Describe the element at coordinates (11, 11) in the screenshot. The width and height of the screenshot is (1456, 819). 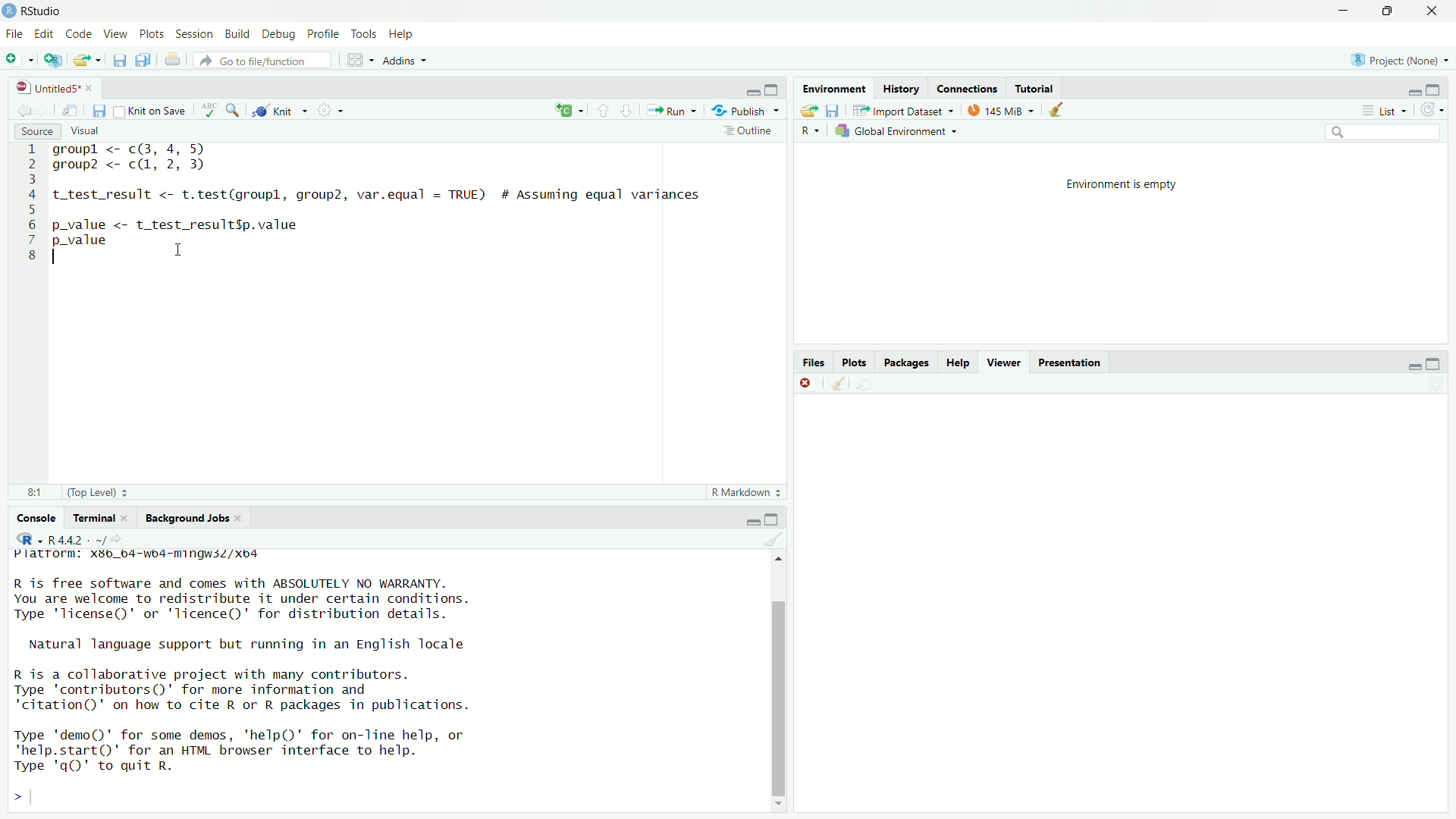
I see `RStudio Logo` at that location.